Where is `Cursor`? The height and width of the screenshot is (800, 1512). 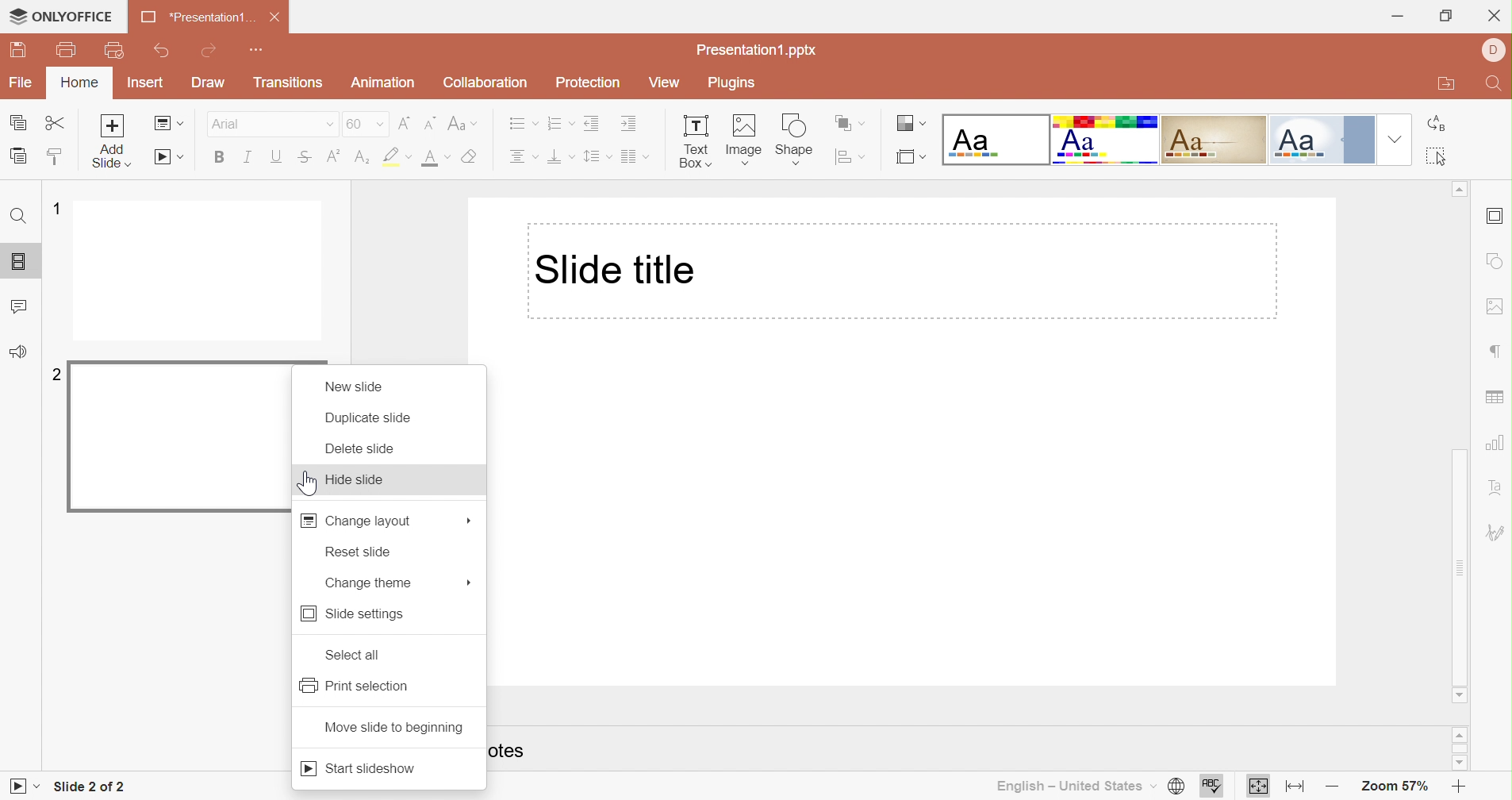 Cursor is located at coordinates (305, 485).